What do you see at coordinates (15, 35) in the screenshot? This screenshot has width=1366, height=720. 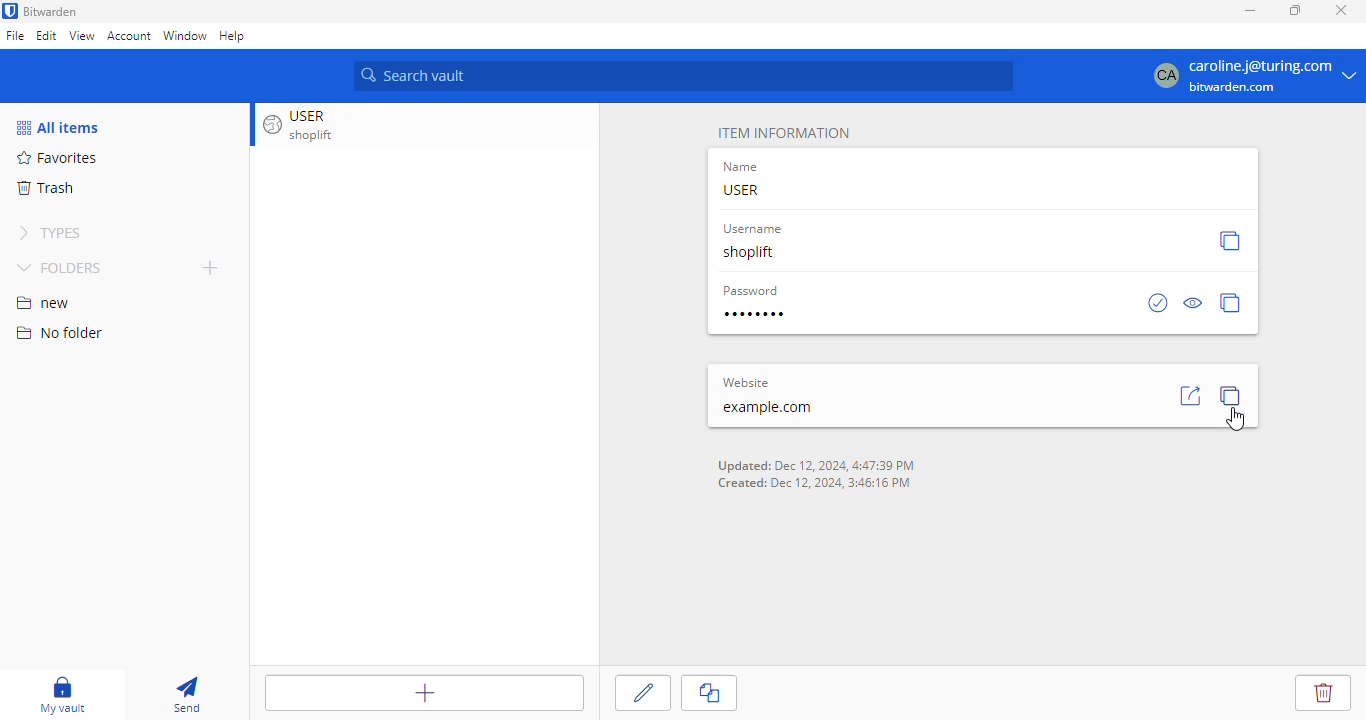 I see `file` at bounding box center [15, 35].